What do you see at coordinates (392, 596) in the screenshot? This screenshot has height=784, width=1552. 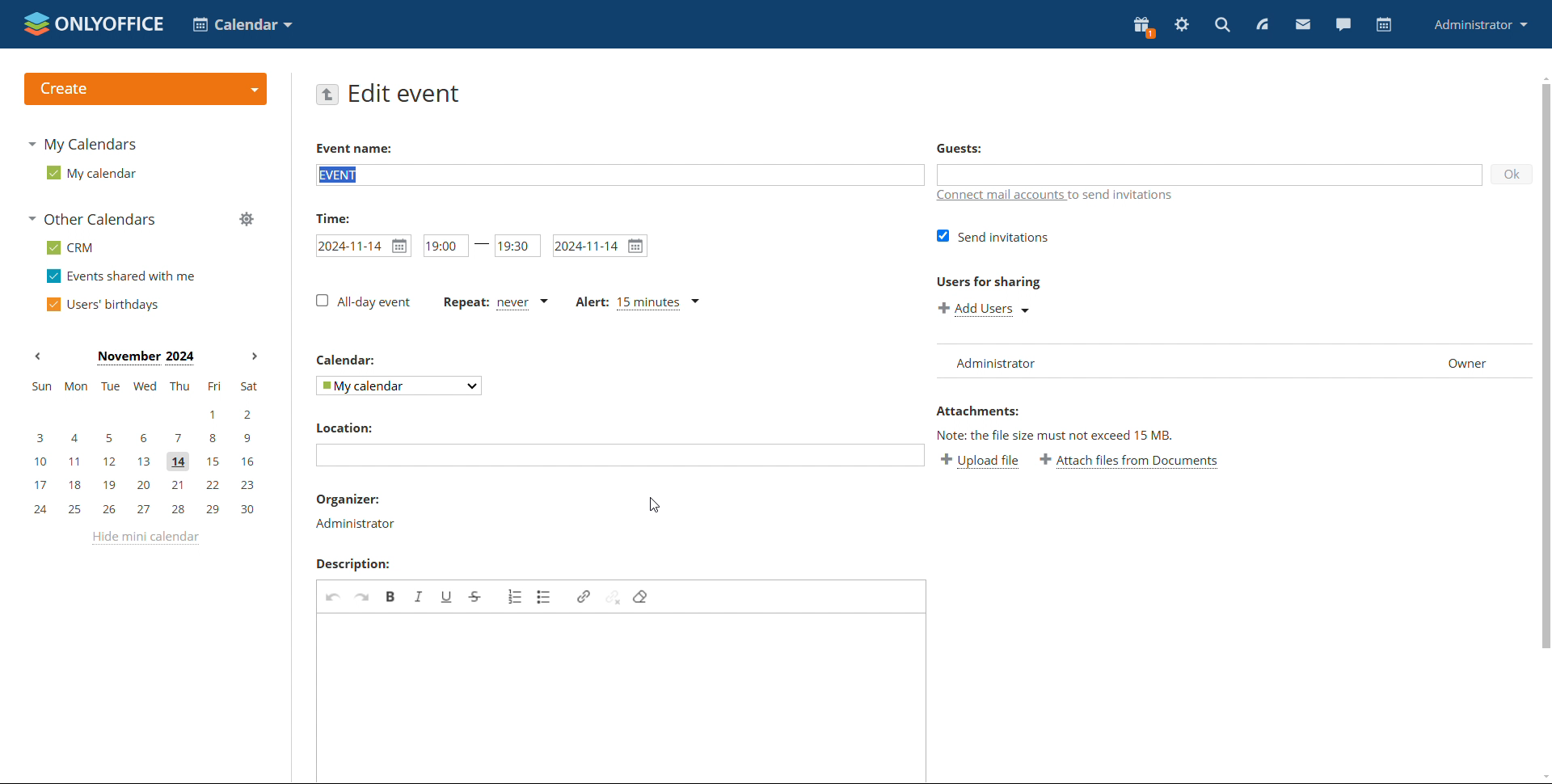 I see `bold` at bounding box center [392, 596].